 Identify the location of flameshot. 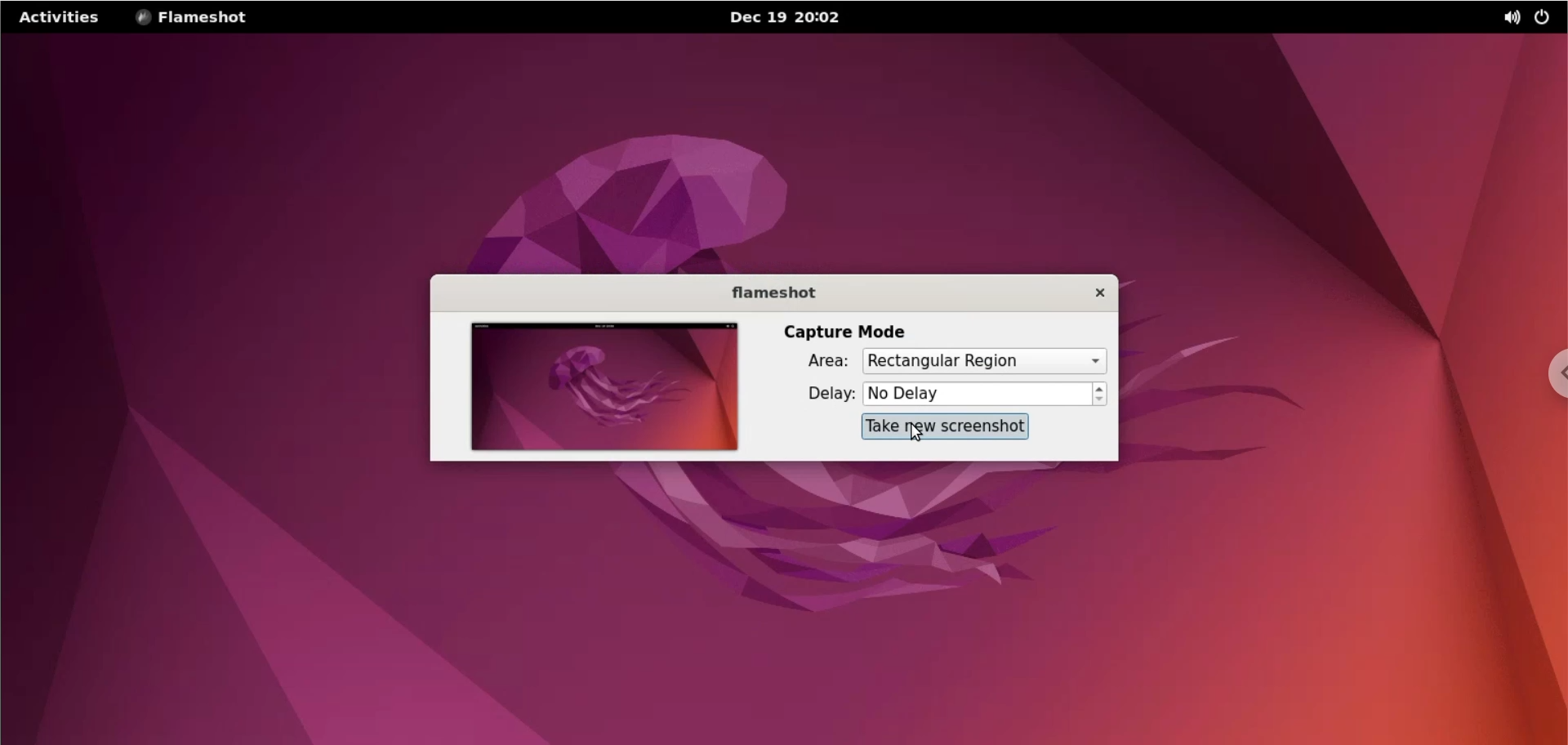
(767, 292).